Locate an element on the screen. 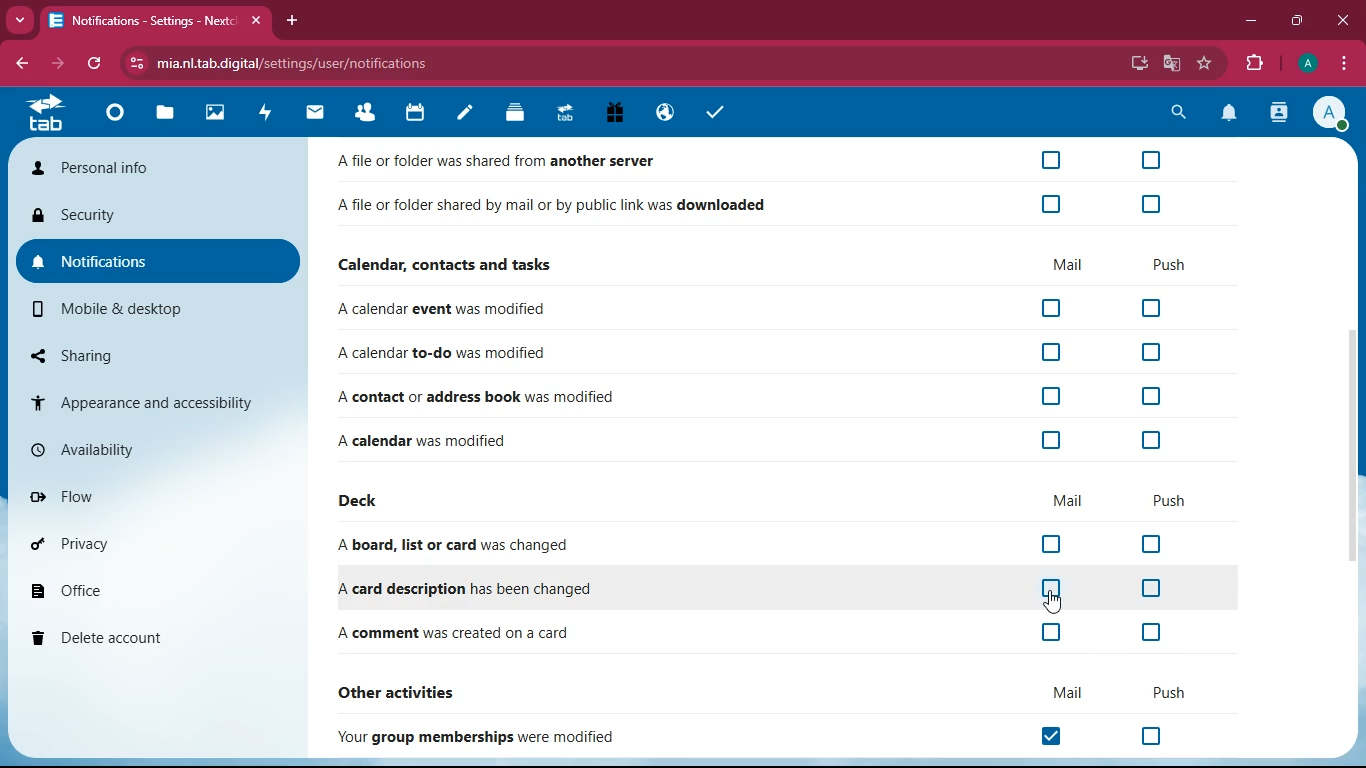 This screenshot has width=1366, height=768. other activities is located at coordinates (410, 690).